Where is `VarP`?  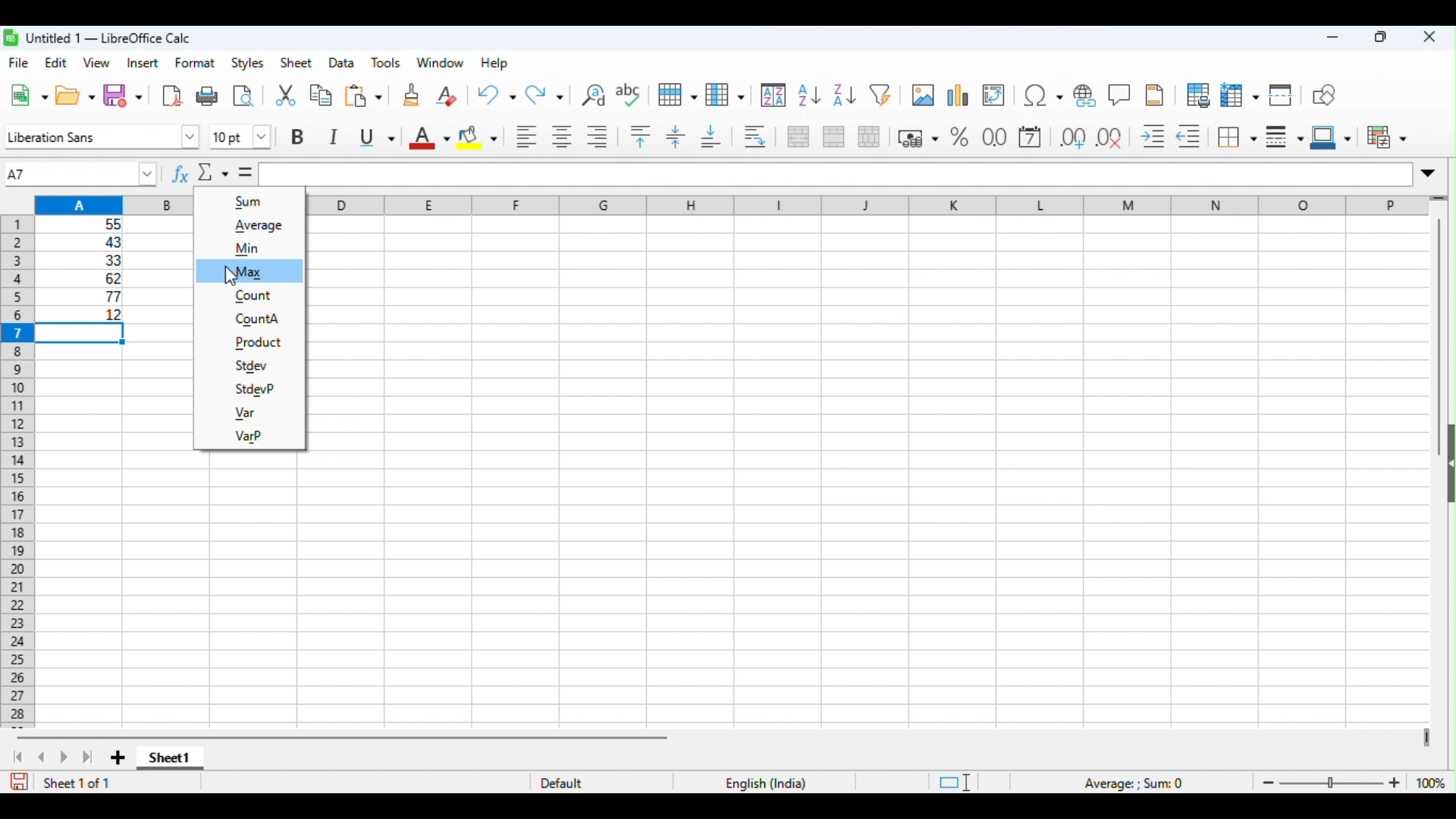 VarP is located at coordinates (251, 436).